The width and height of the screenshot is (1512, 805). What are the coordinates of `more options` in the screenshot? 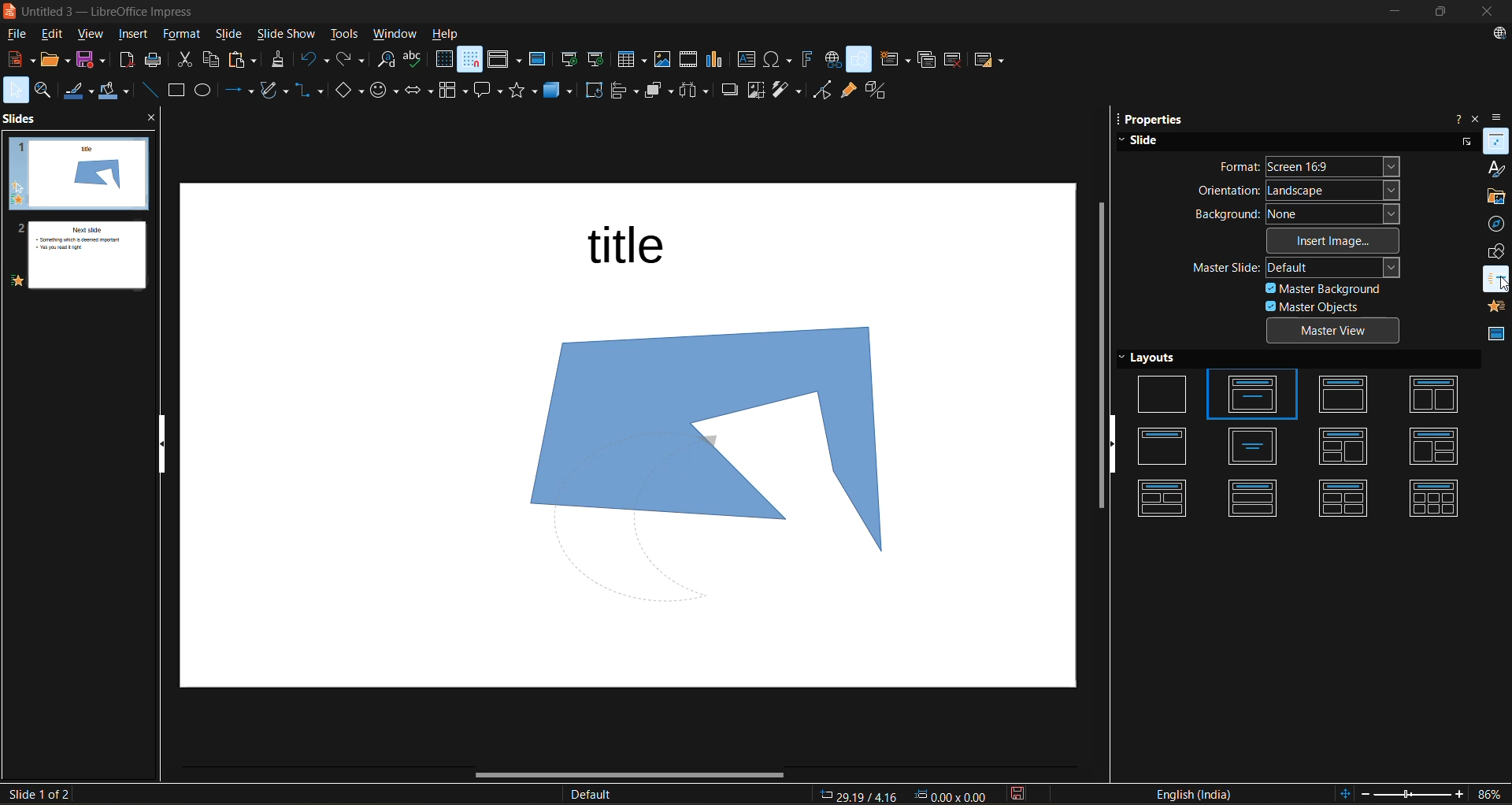 It's located at (1465, 140).